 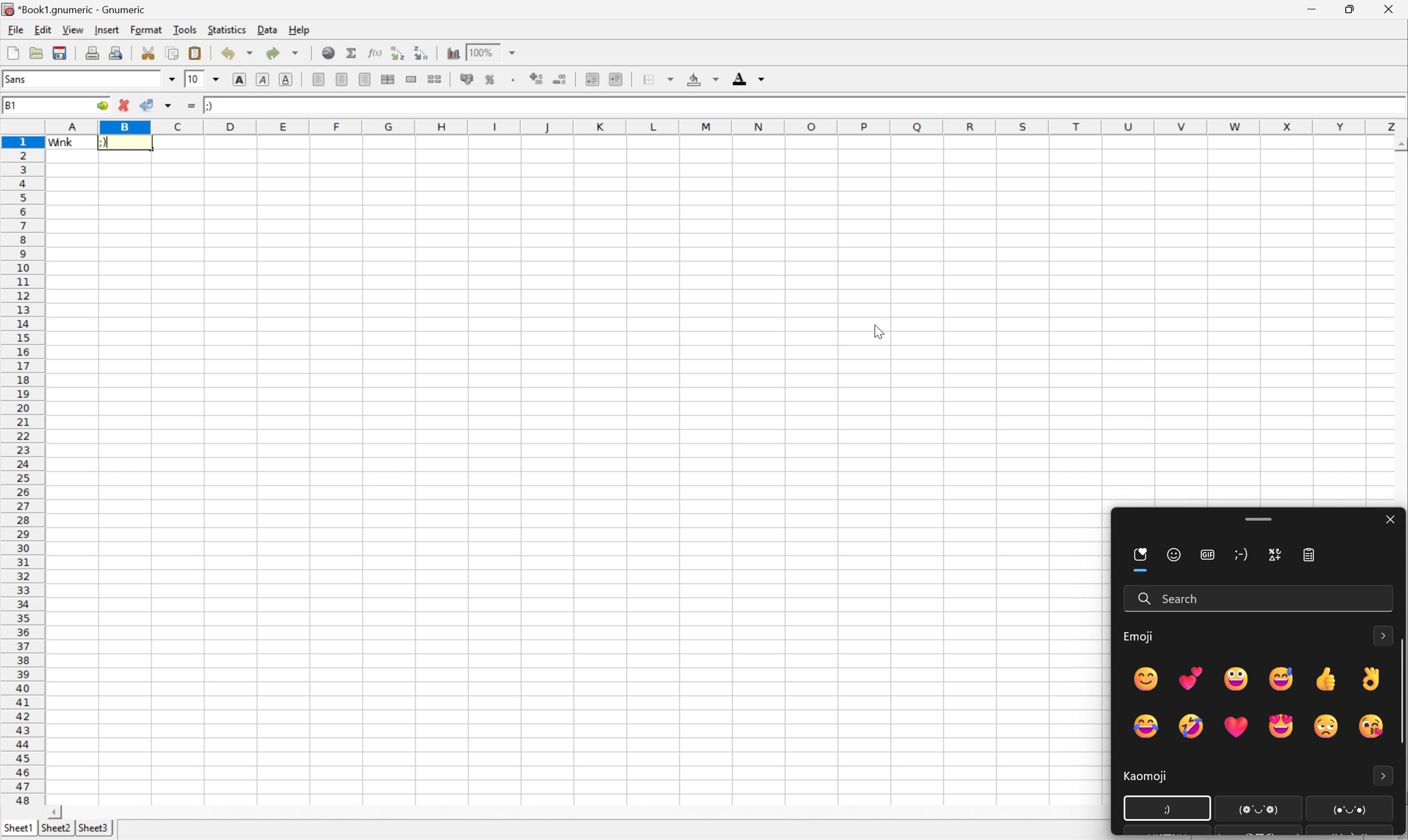 I want to click on restore down, so click(x=1352, y=10).